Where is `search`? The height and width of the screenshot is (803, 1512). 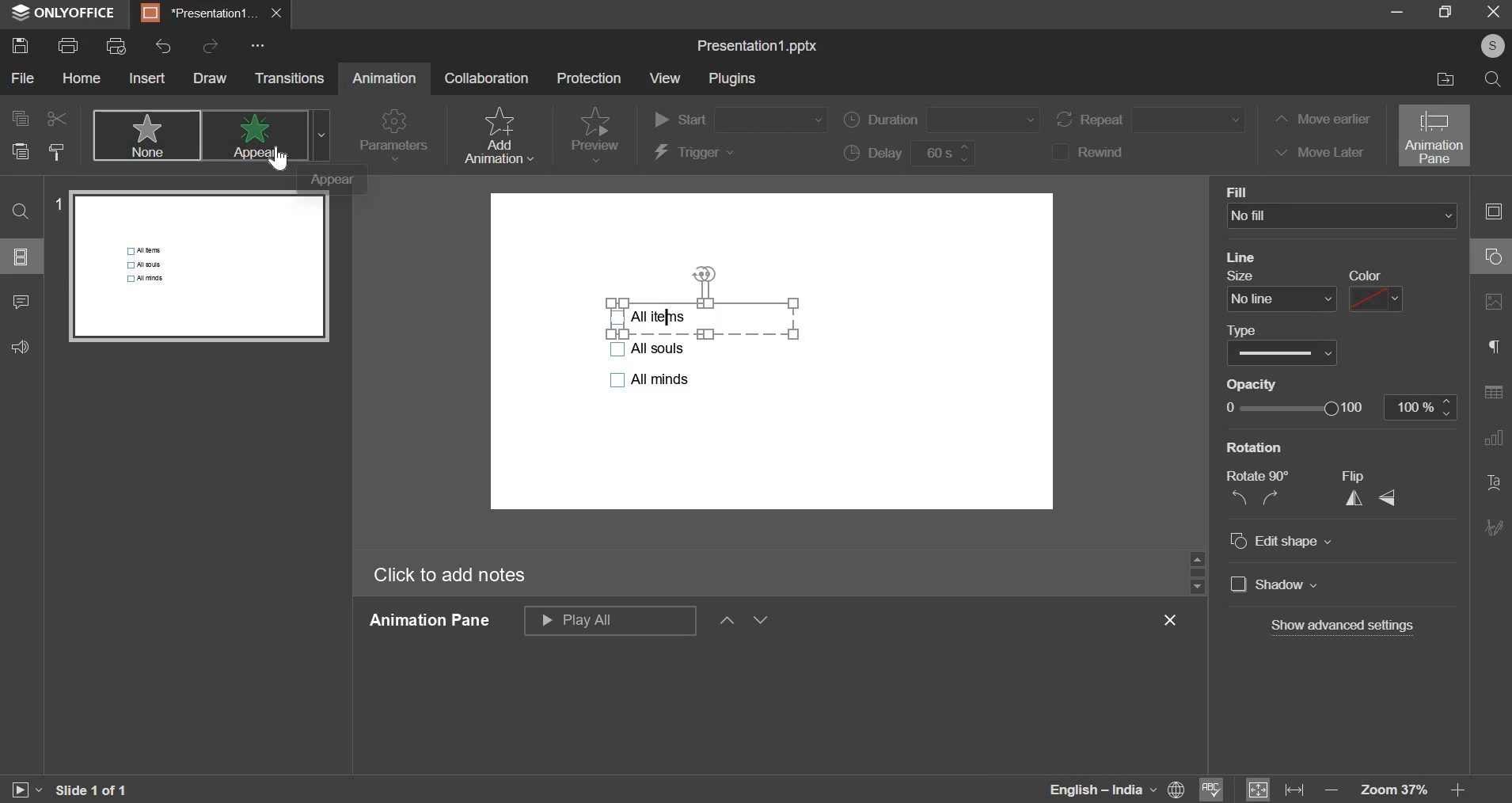 search is located at coordinates (1492, 78).